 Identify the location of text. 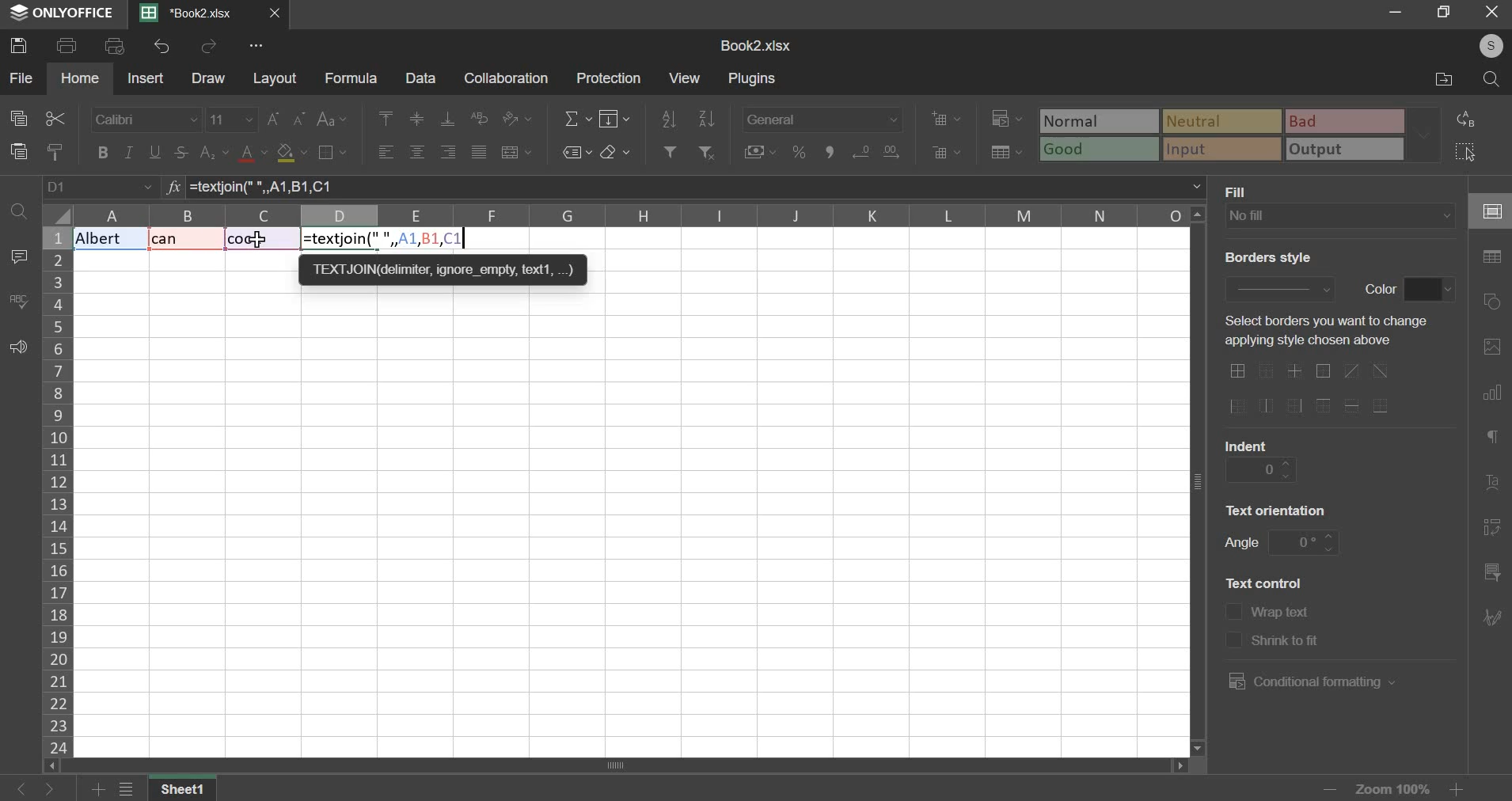
(1320, 332).